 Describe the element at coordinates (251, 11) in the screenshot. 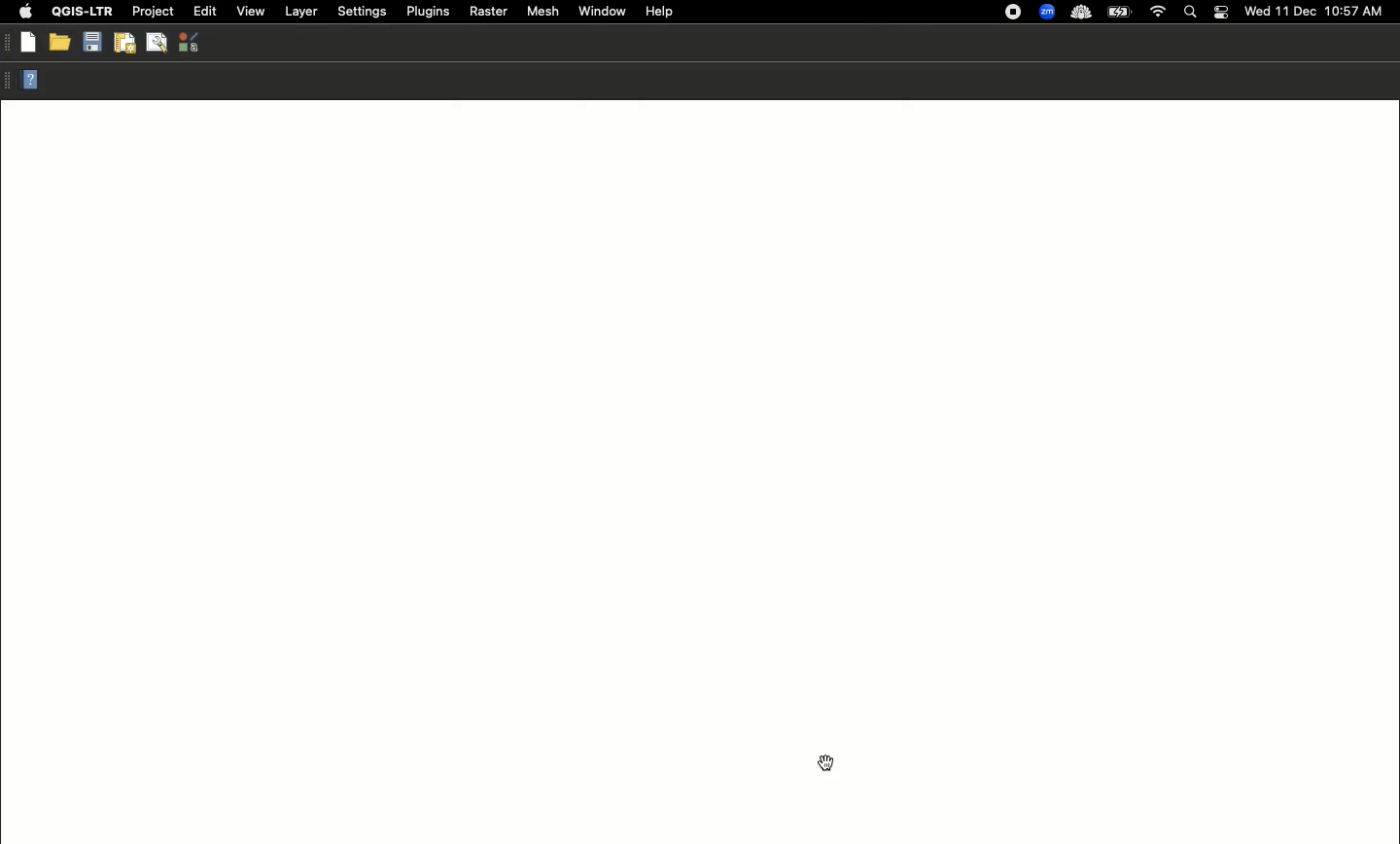

I see `View` at that location.